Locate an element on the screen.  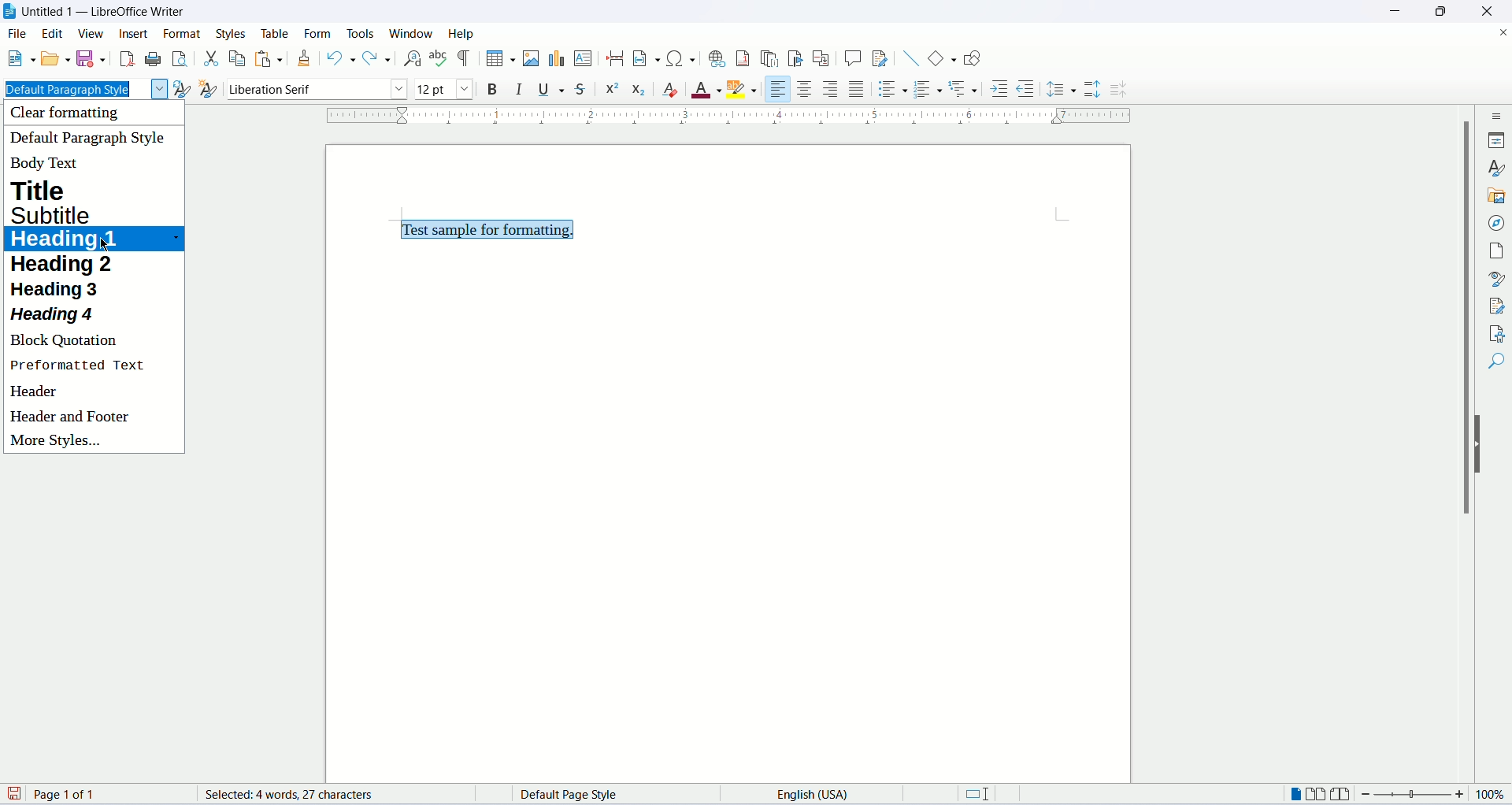
highlighting color is located at coordinates (747, 91).